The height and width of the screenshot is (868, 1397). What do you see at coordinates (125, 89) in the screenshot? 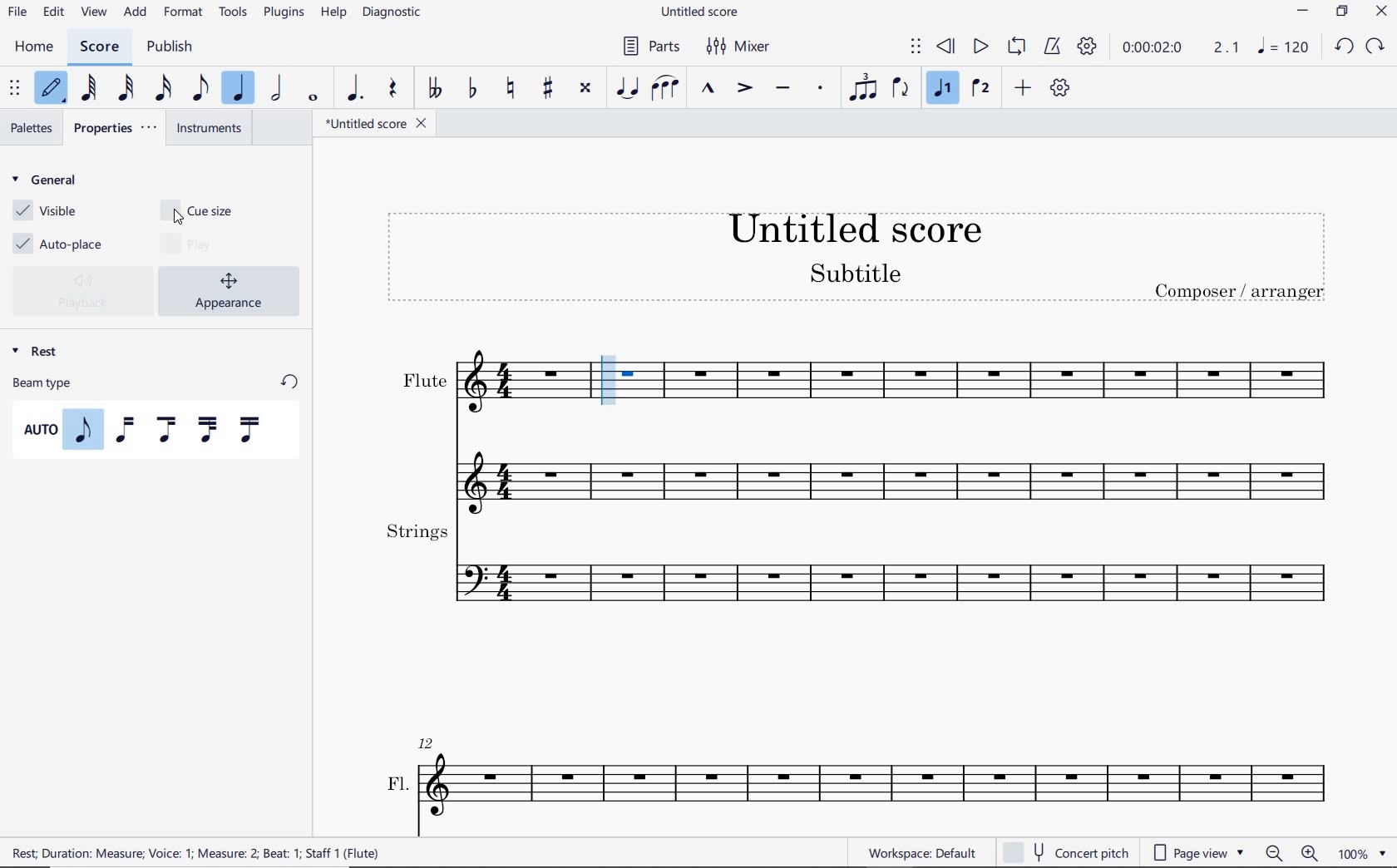
I see `32ND NOTE` at bounding box center [125, 89].